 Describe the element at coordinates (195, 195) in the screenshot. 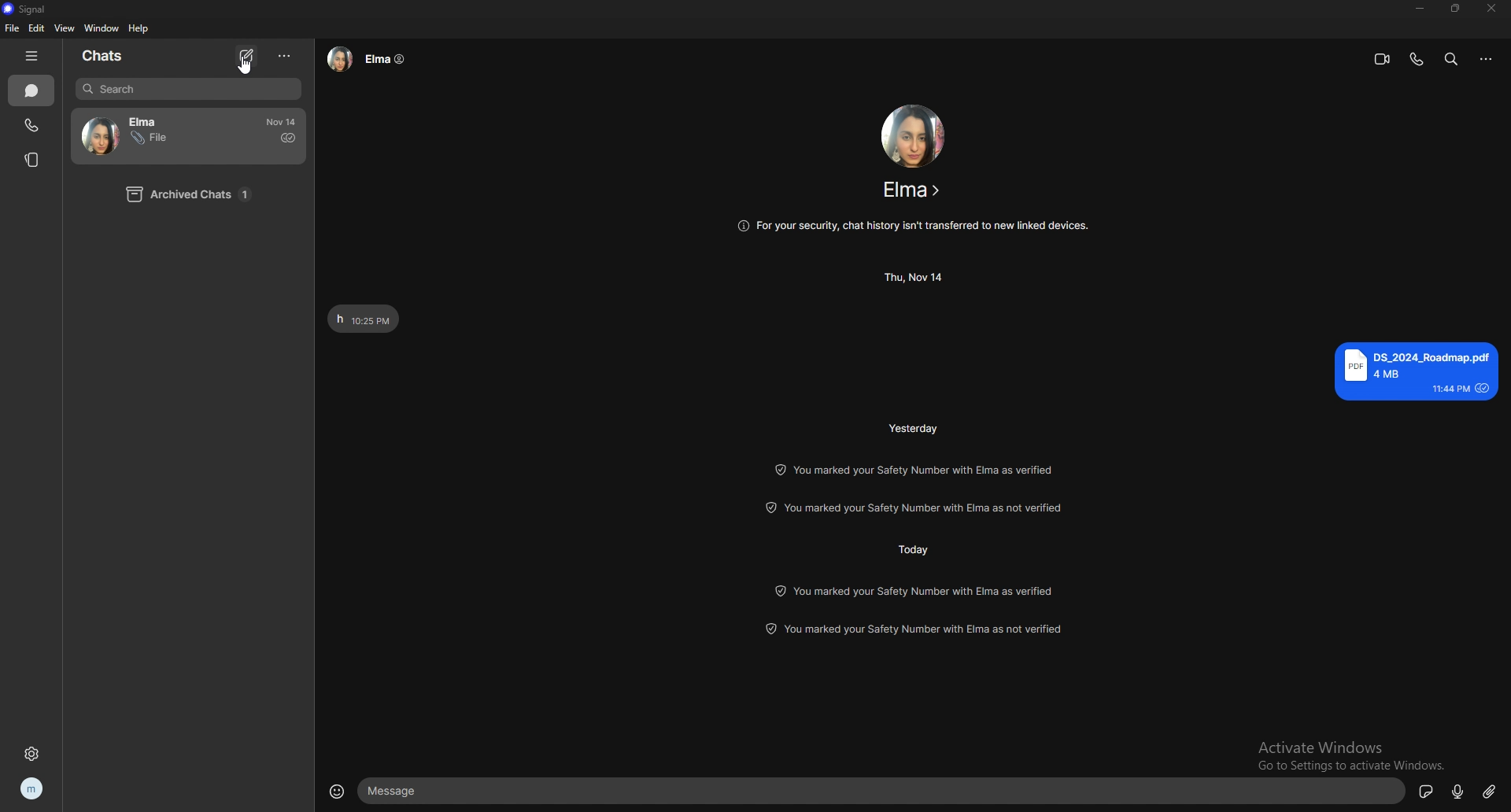

I see `archived chats` at that location.